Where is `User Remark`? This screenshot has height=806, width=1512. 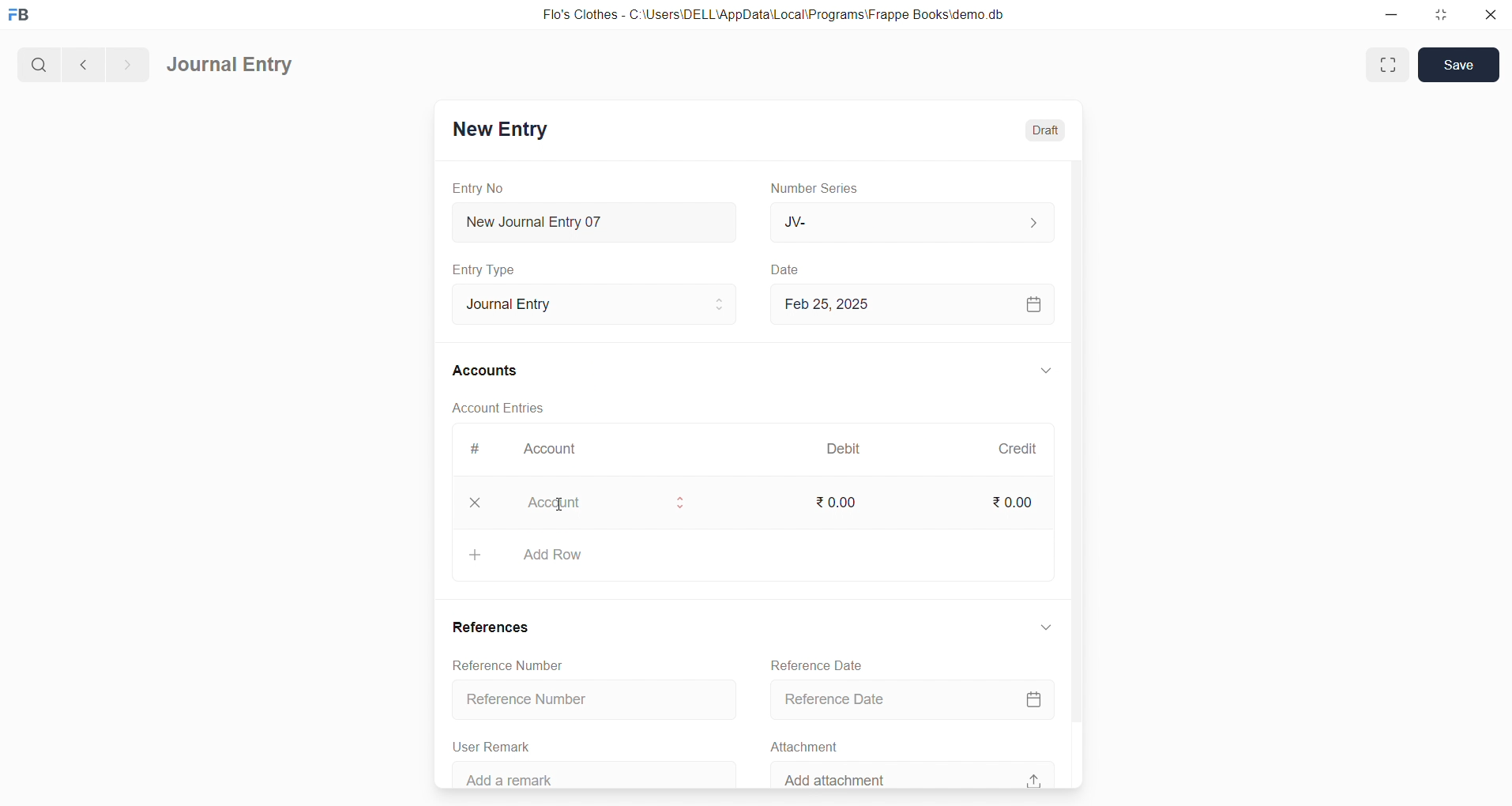 User Remark is located at coordinates (496, 744).